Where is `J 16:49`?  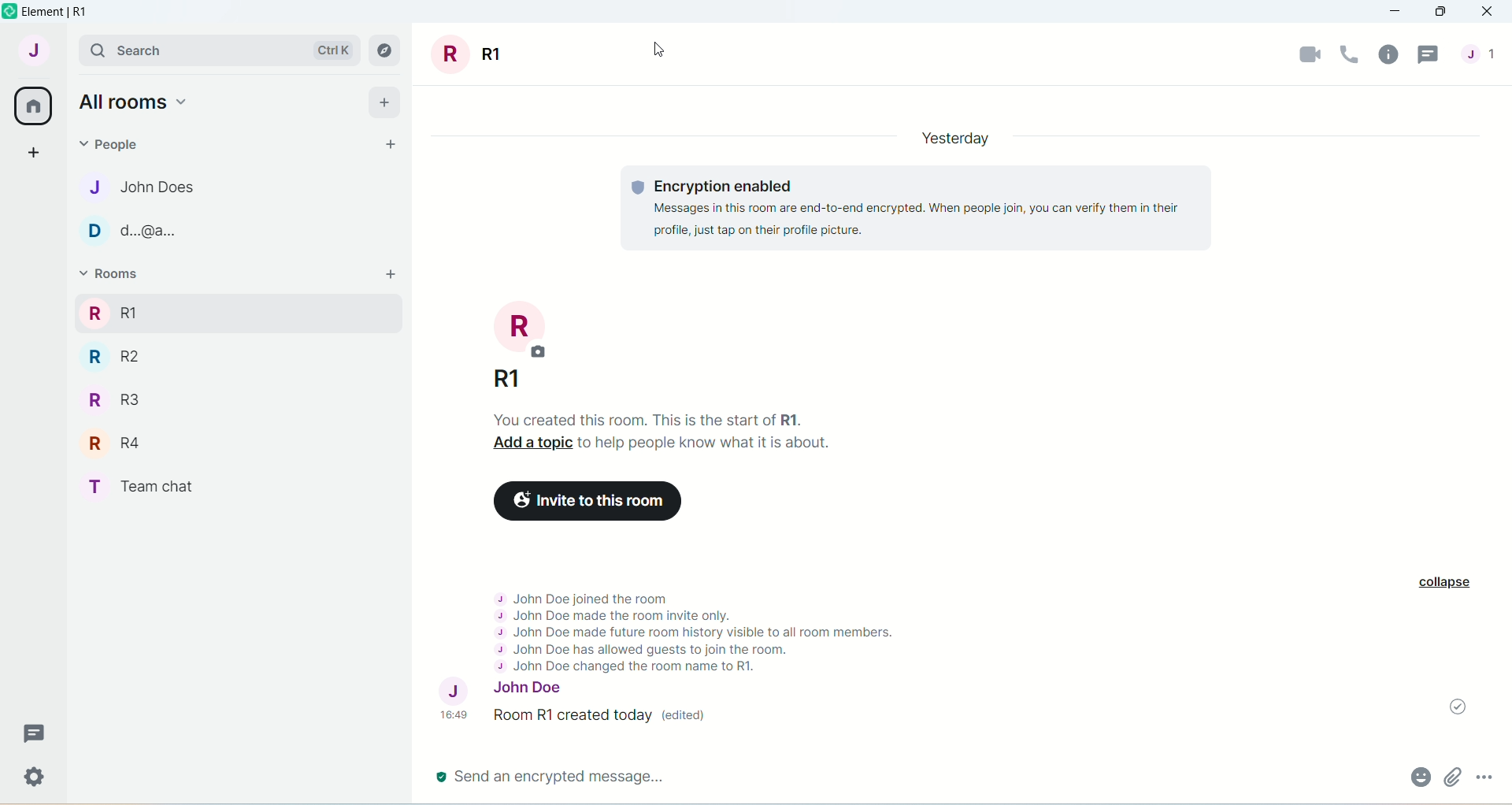
J 16:49 is located at coordinates (454, 703).